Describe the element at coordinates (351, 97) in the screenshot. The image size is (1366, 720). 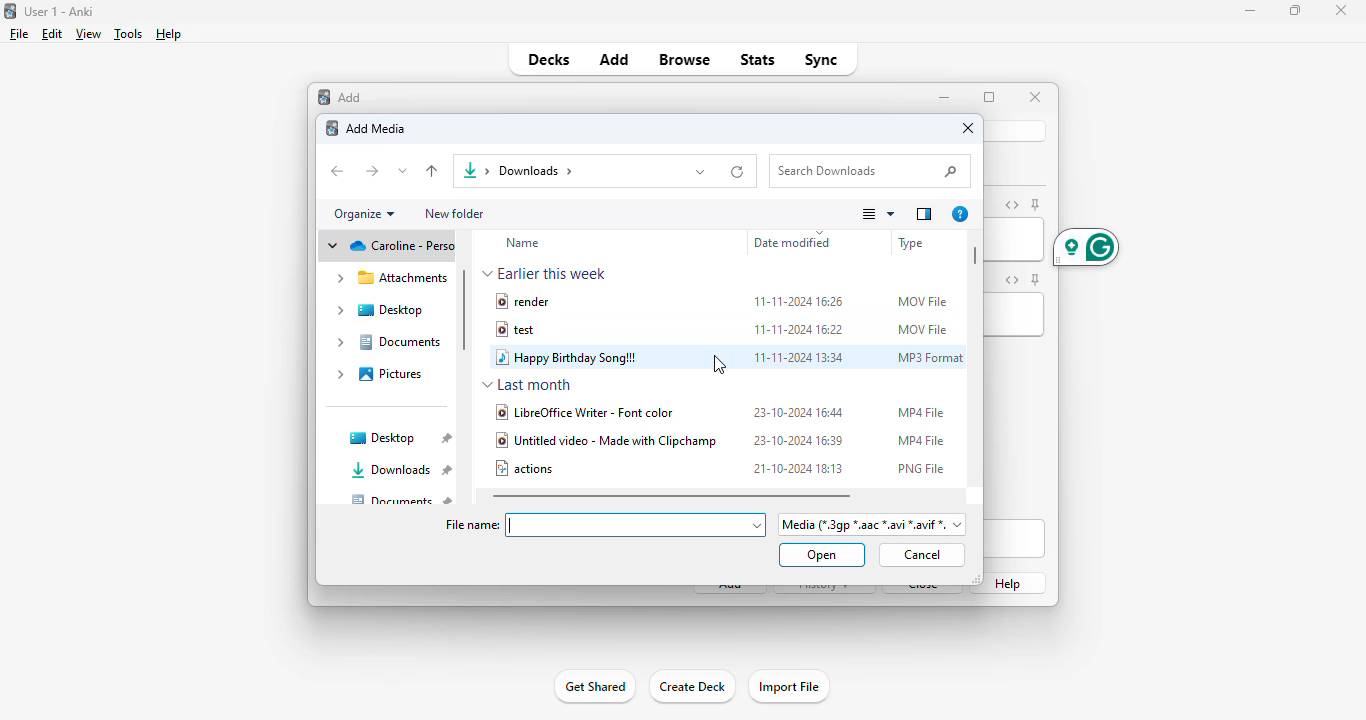
I see `add` at that location.